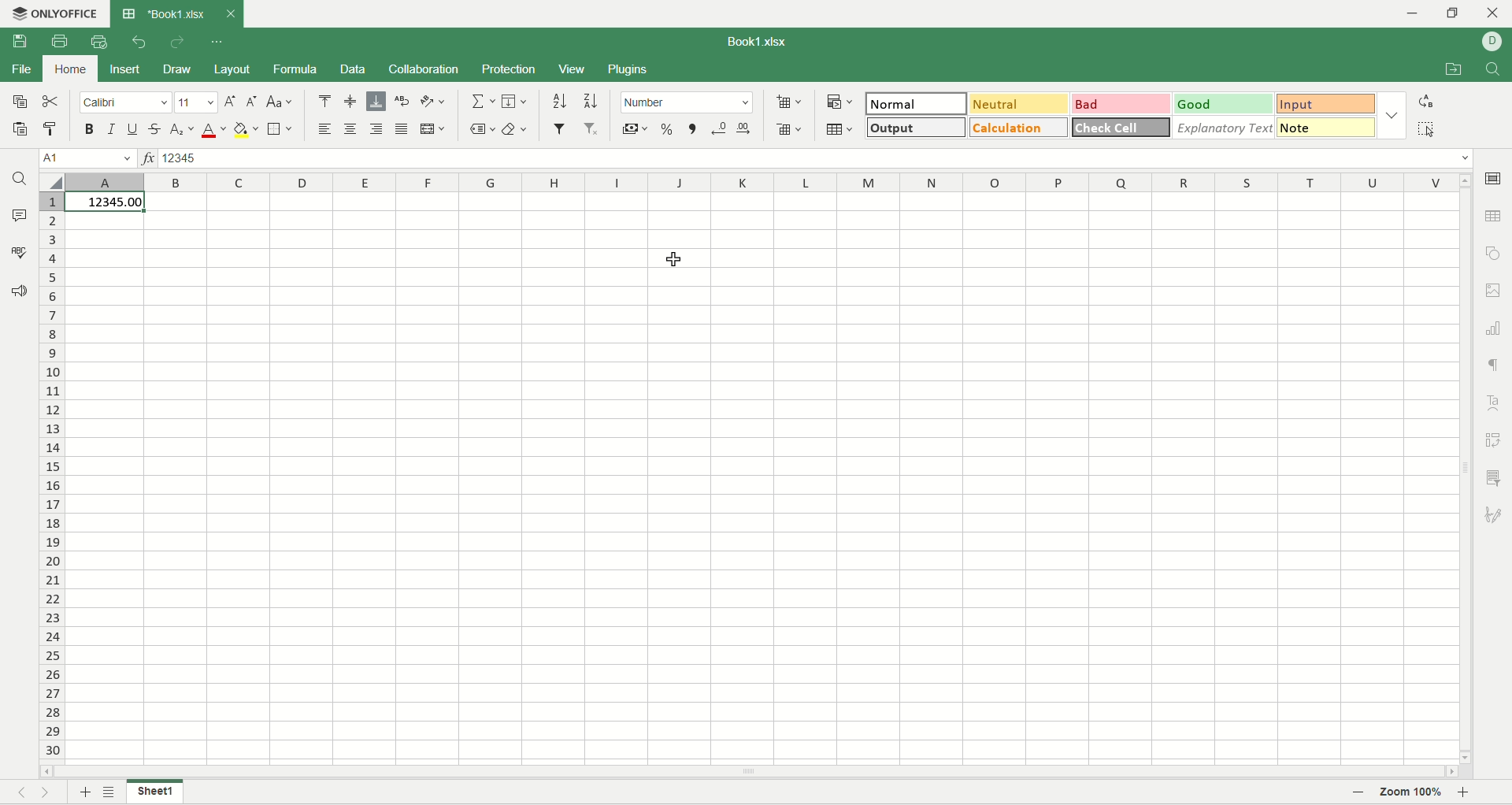  What do you see at coordinates (432, 131) in the screenshot?
I see `merge and center` at bounding box center [432, 131].